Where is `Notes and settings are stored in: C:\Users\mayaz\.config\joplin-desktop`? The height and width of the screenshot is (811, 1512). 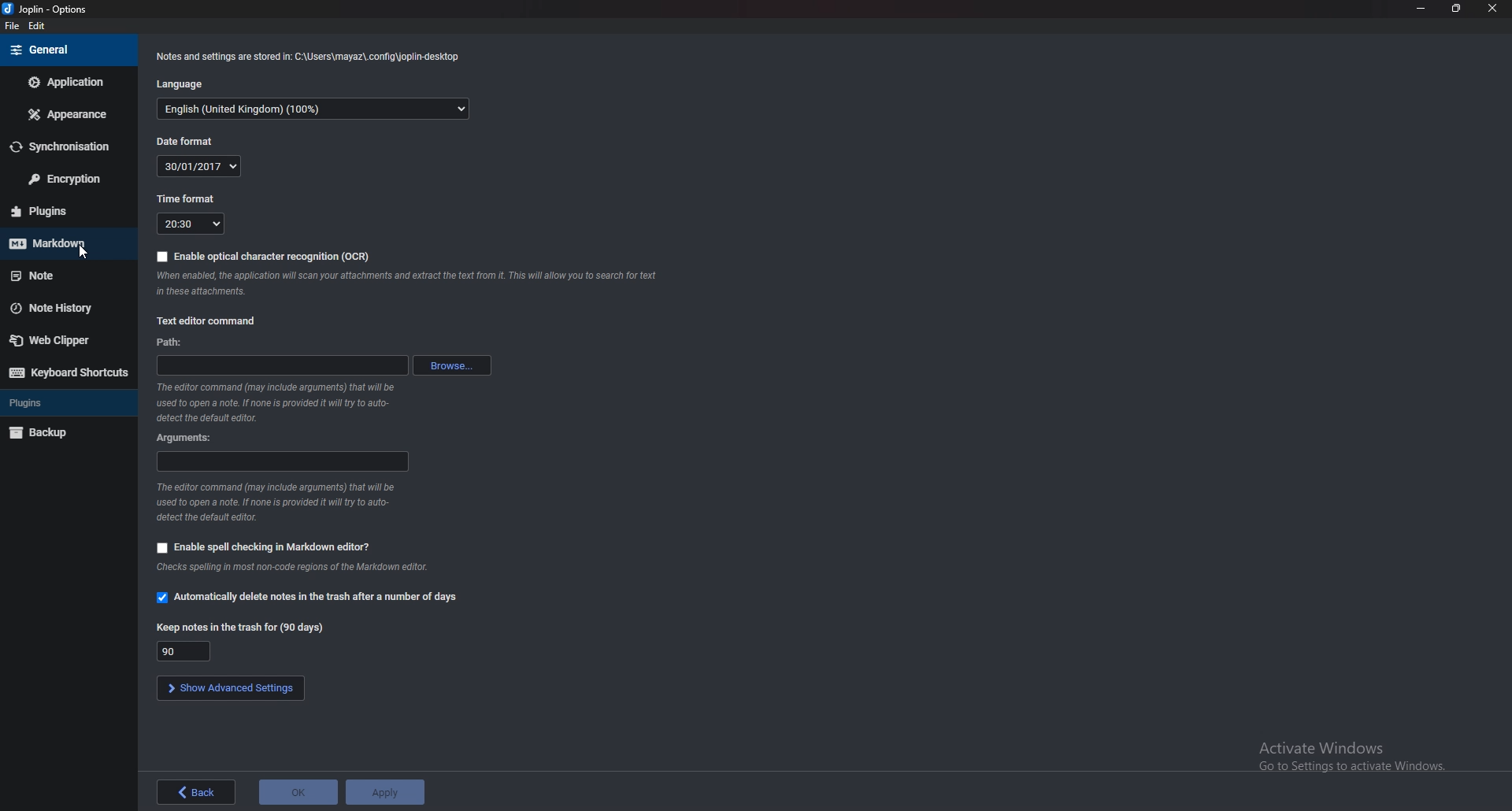
Notes and settings are stored in: C:\Users\mayaz\.config\joplin-desktop is located at coordinates (309, 56).